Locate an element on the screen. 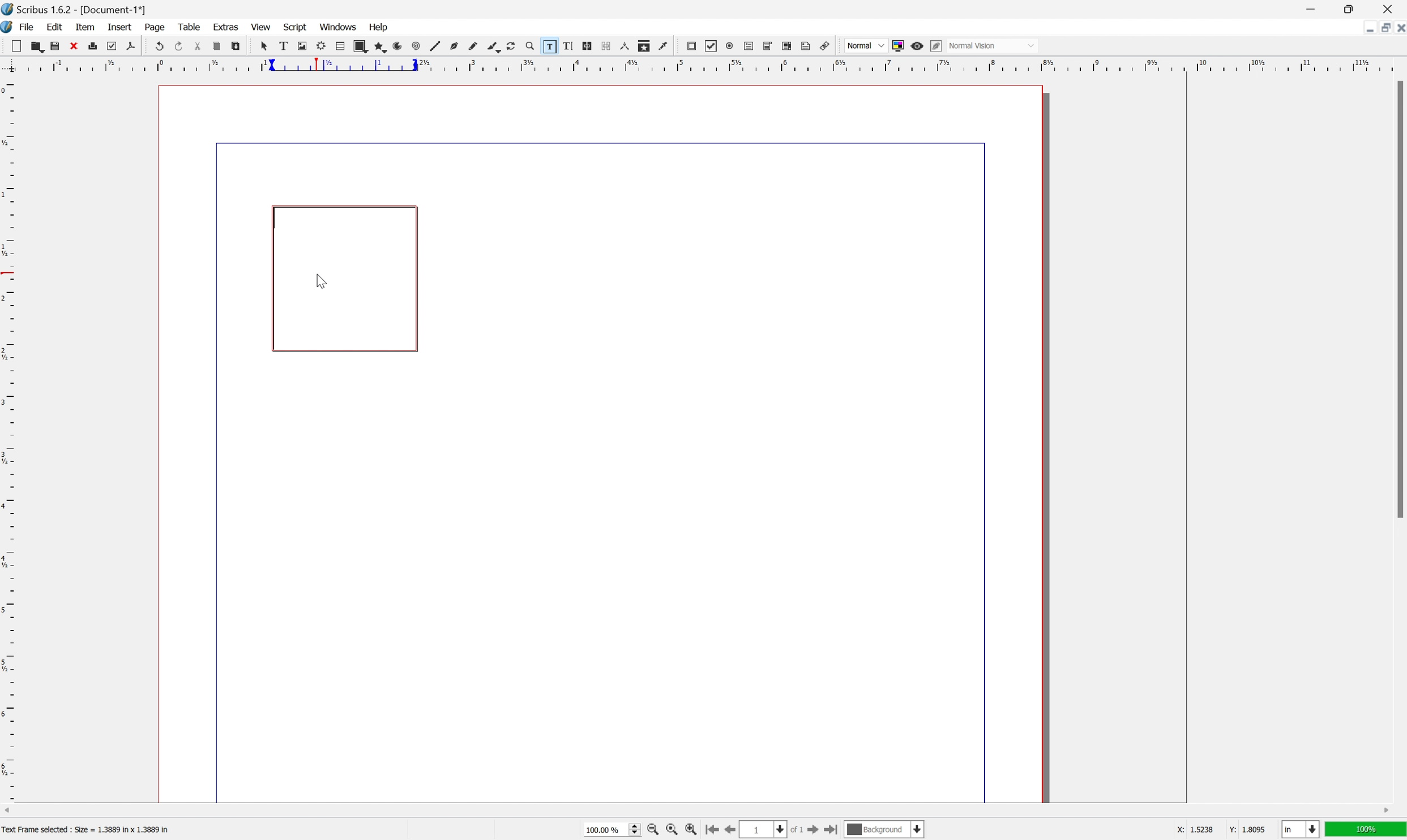  extras is located at coordinates (227, 26).